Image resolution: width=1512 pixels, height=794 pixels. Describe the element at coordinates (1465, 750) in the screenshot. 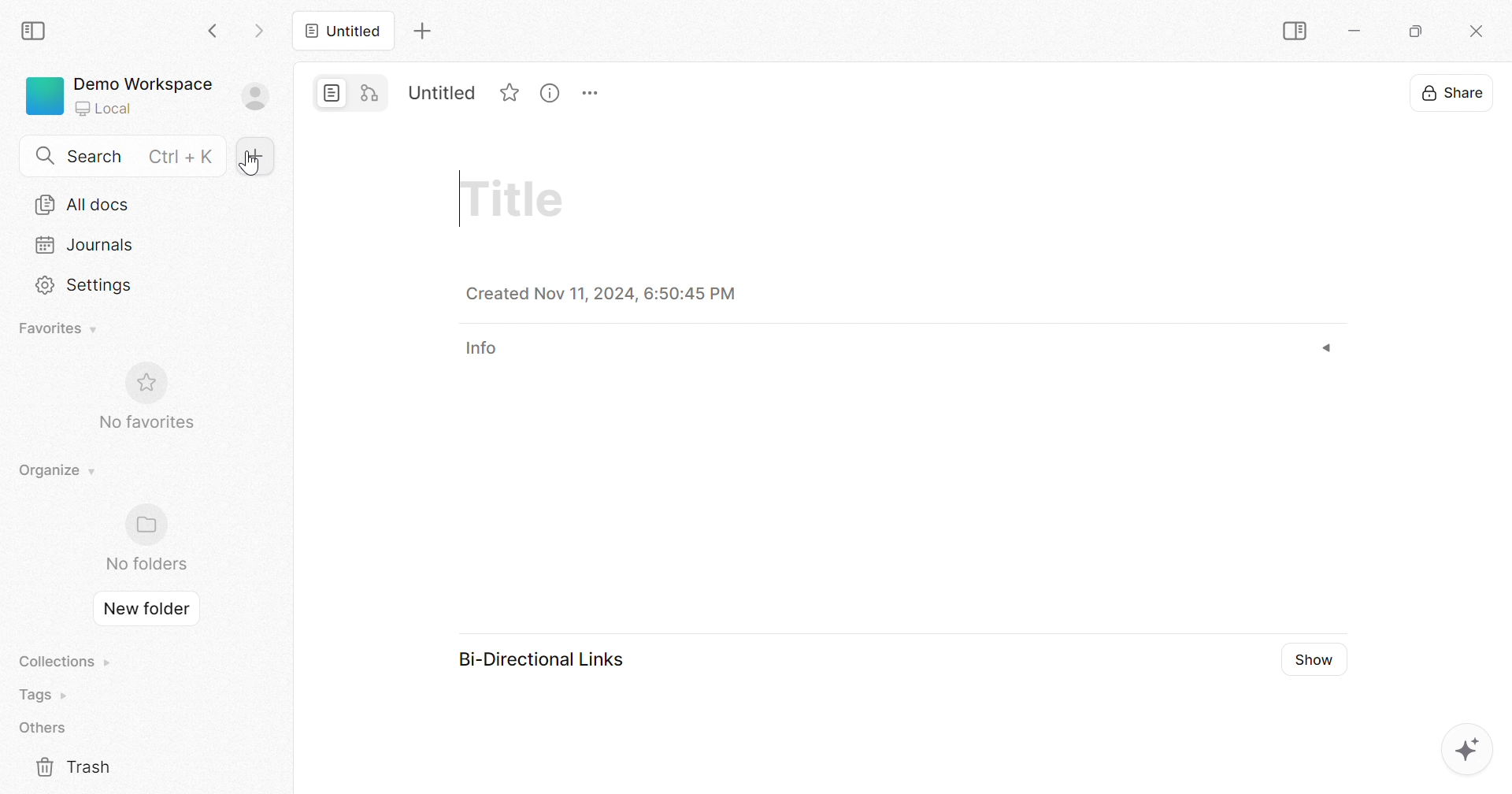

I see `Affine AI` at that location.